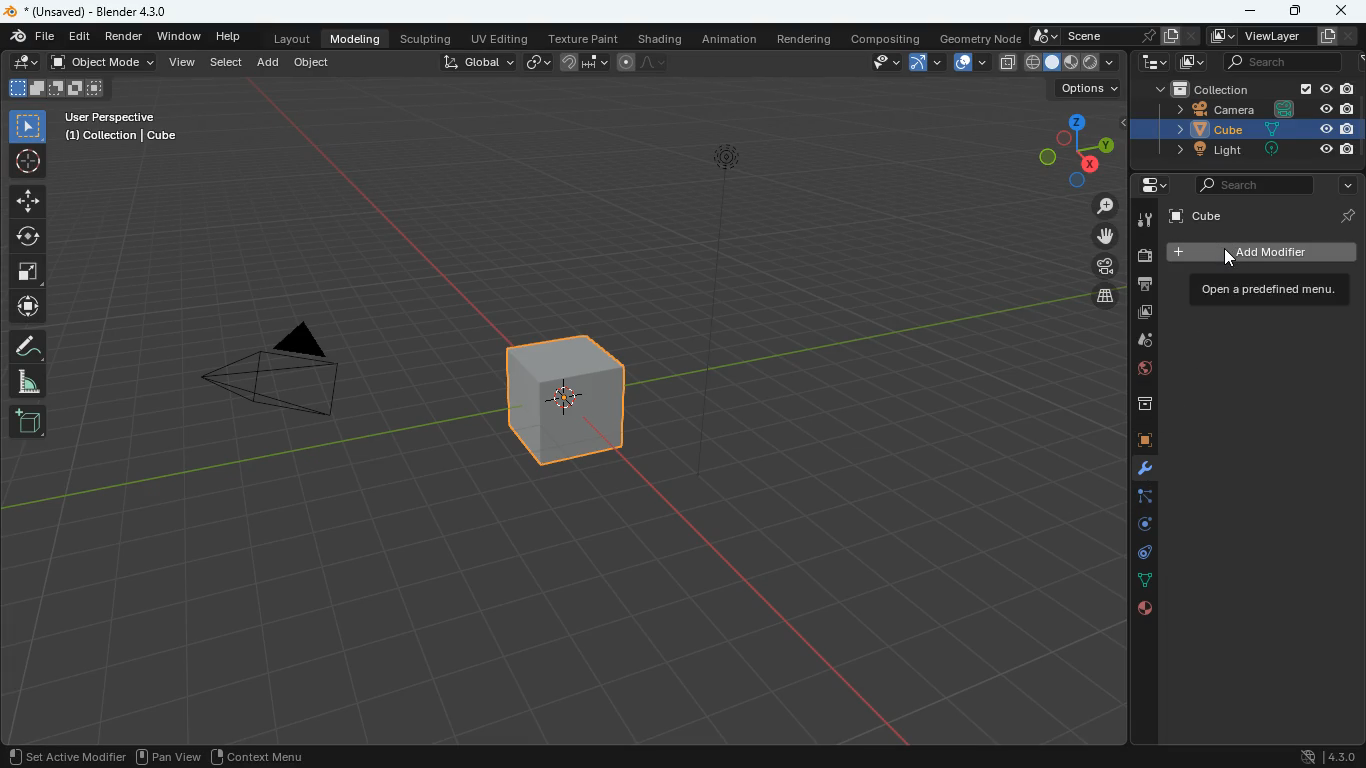  Describe the element at coordinates (126, 37) in the screenshot. I see `render` at that location.